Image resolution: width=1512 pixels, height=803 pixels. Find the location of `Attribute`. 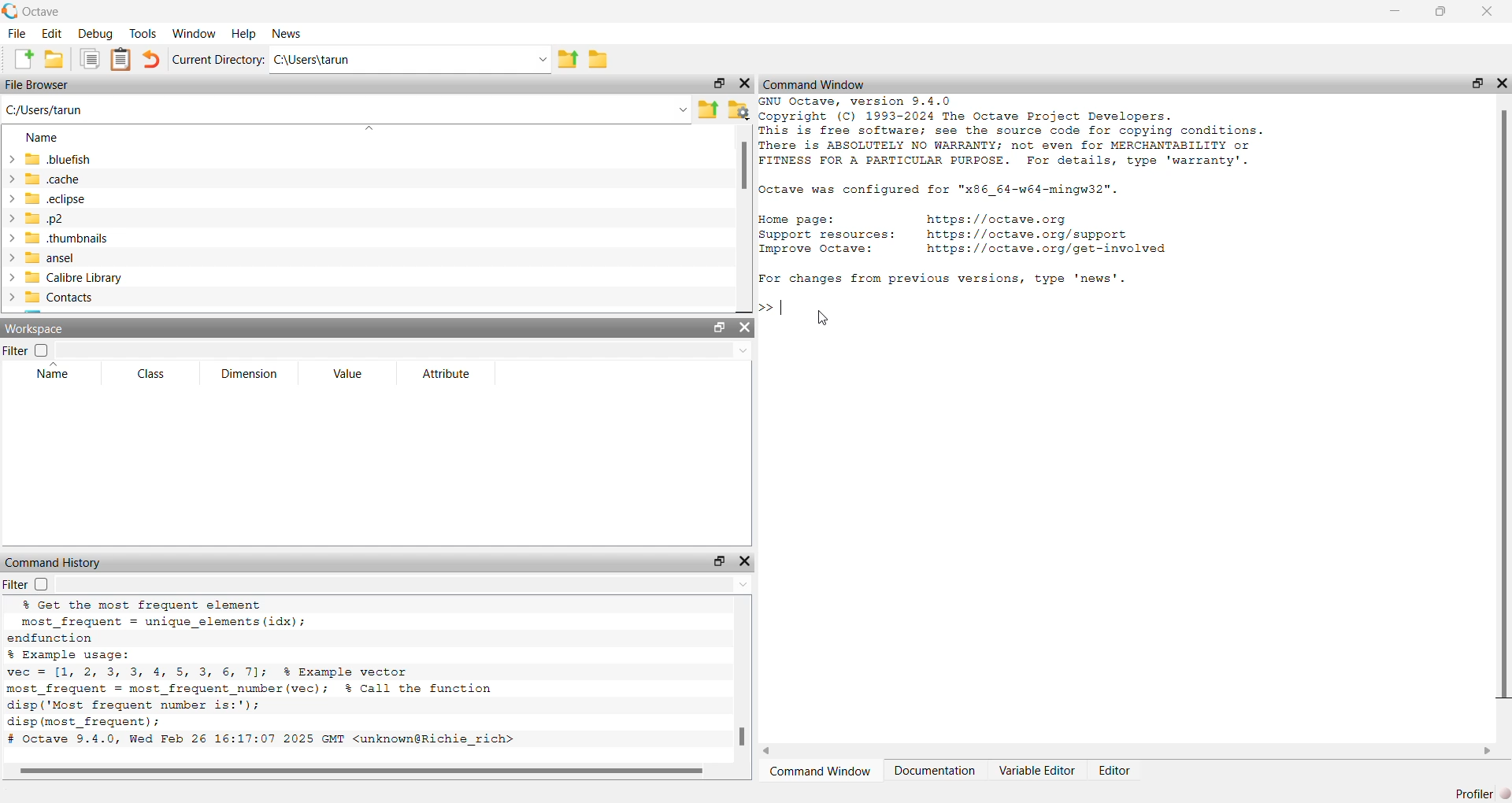

Attribute is located at coordinates (447, 373).